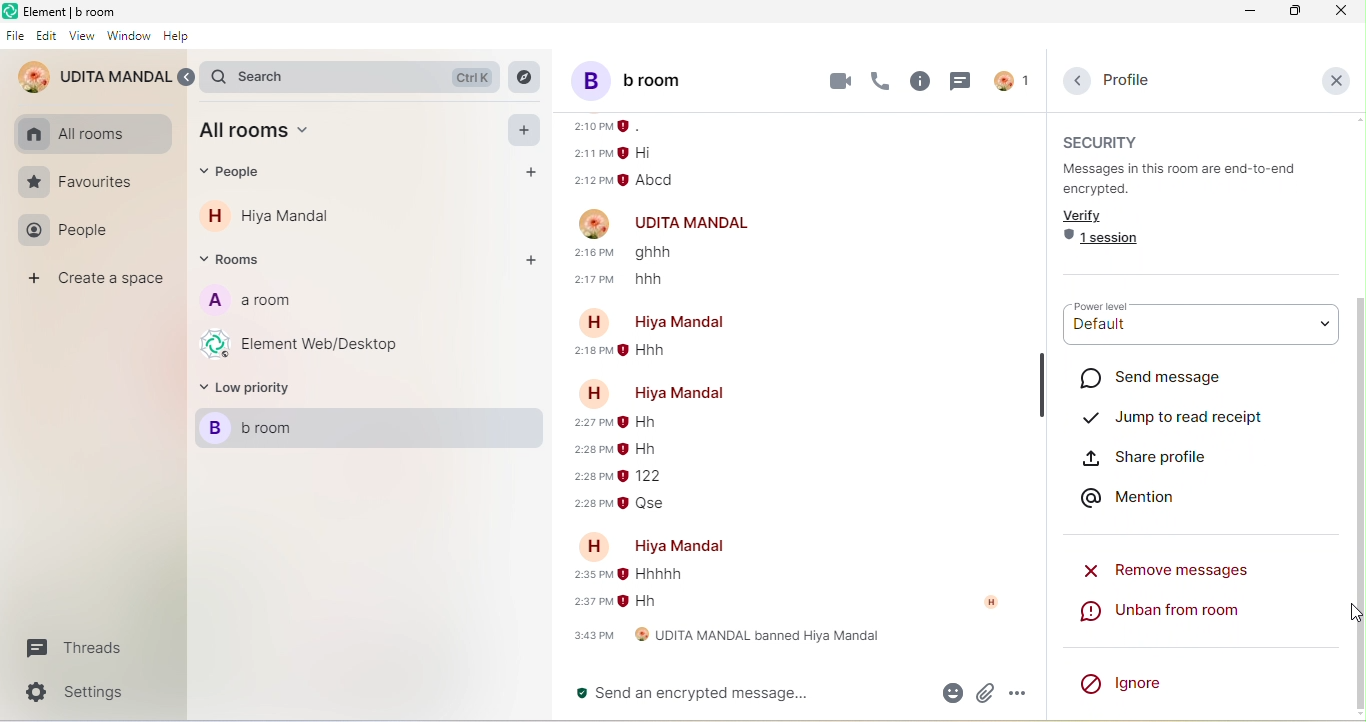 The width and height of the screenshot is (1366, 722). I want to click on all rooms, so click(76, 134).